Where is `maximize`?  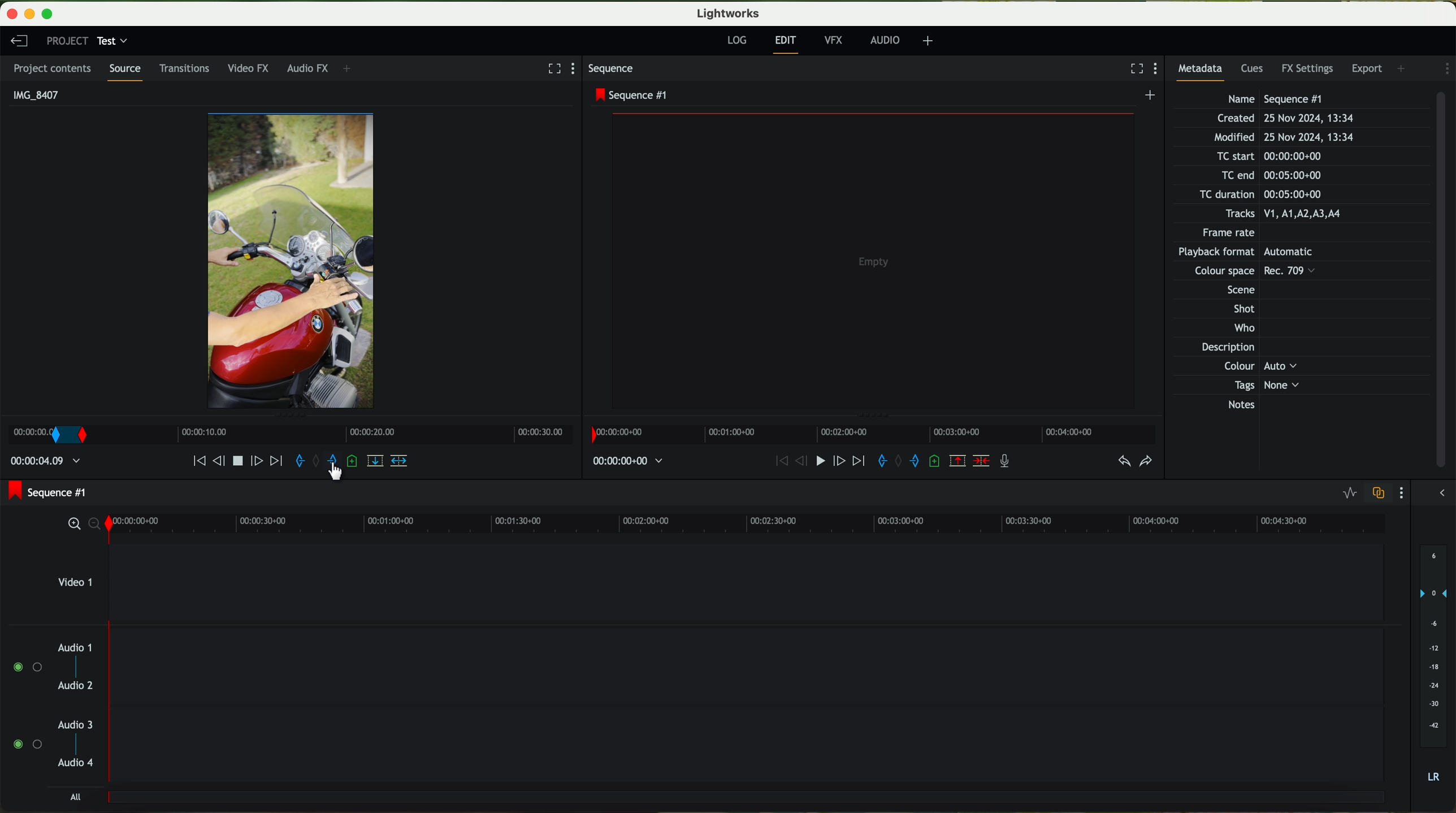 maximize is located at coordinates (54, 12).